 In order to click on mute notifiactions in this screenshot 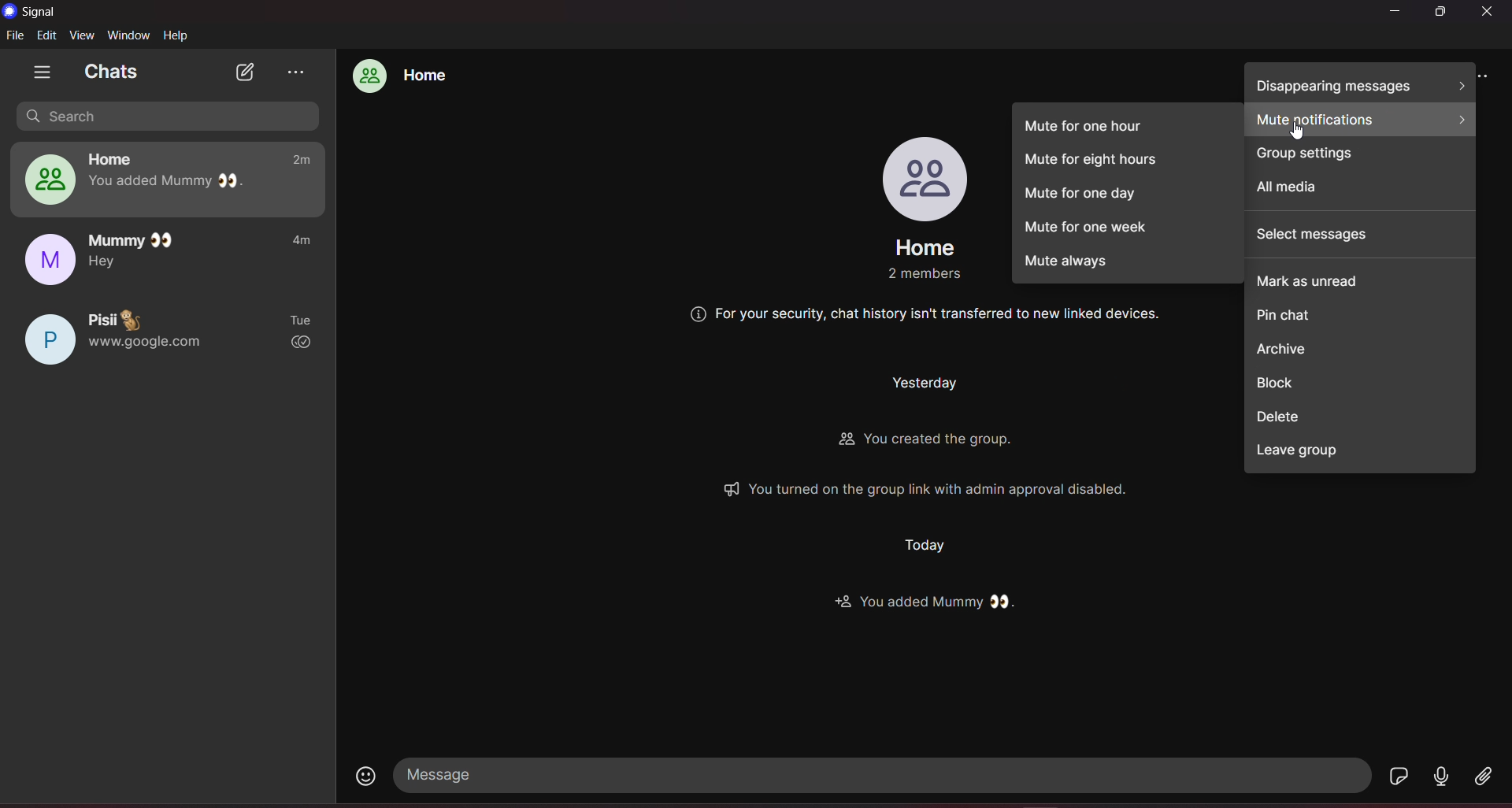, I will do `click(1362, 122)`.